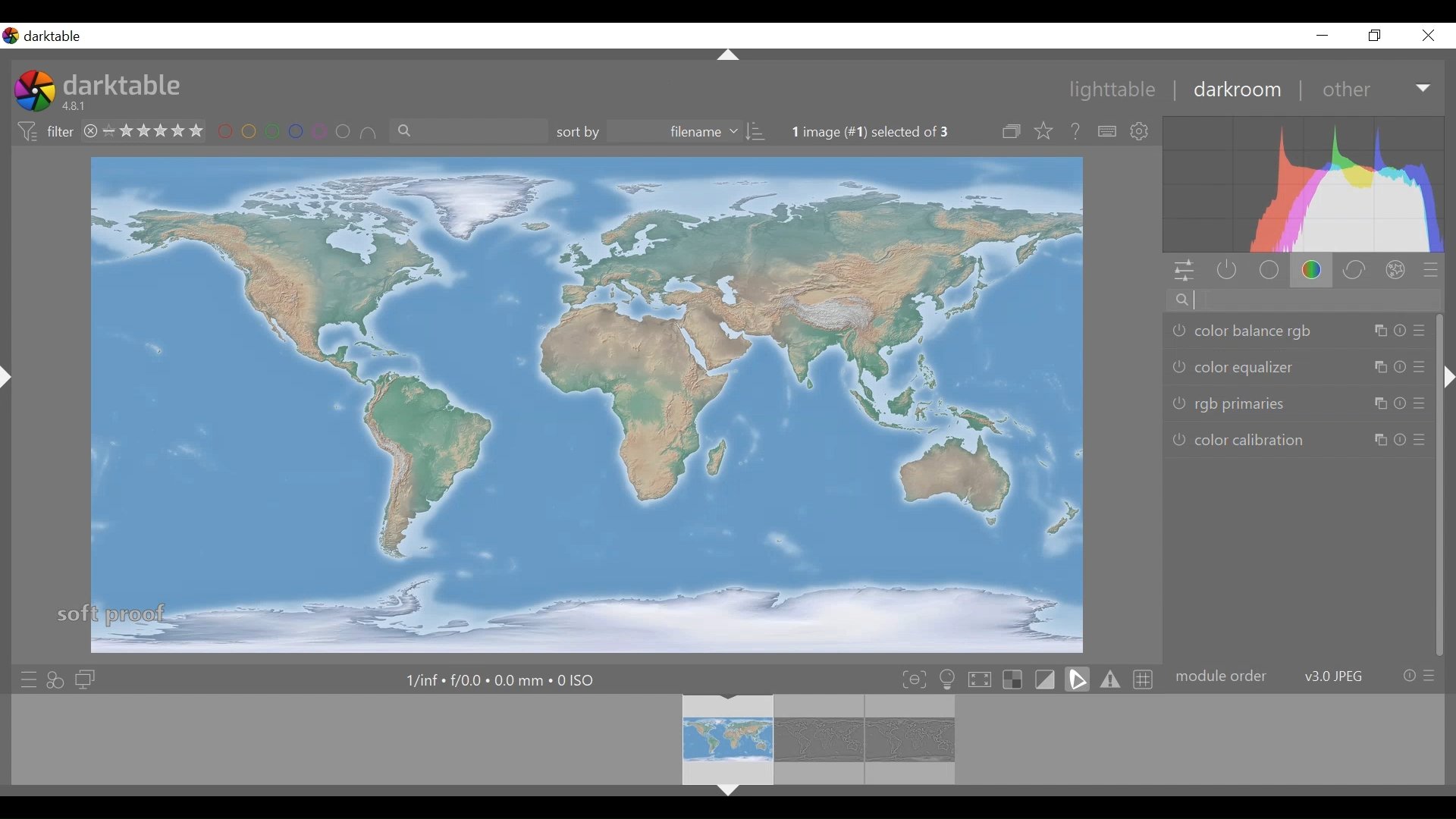 The width and height of the screenshot is (1456, 819). Describe the element at coordinates (299, 133) in the screenshot. I see `filter by images color label` at that location.